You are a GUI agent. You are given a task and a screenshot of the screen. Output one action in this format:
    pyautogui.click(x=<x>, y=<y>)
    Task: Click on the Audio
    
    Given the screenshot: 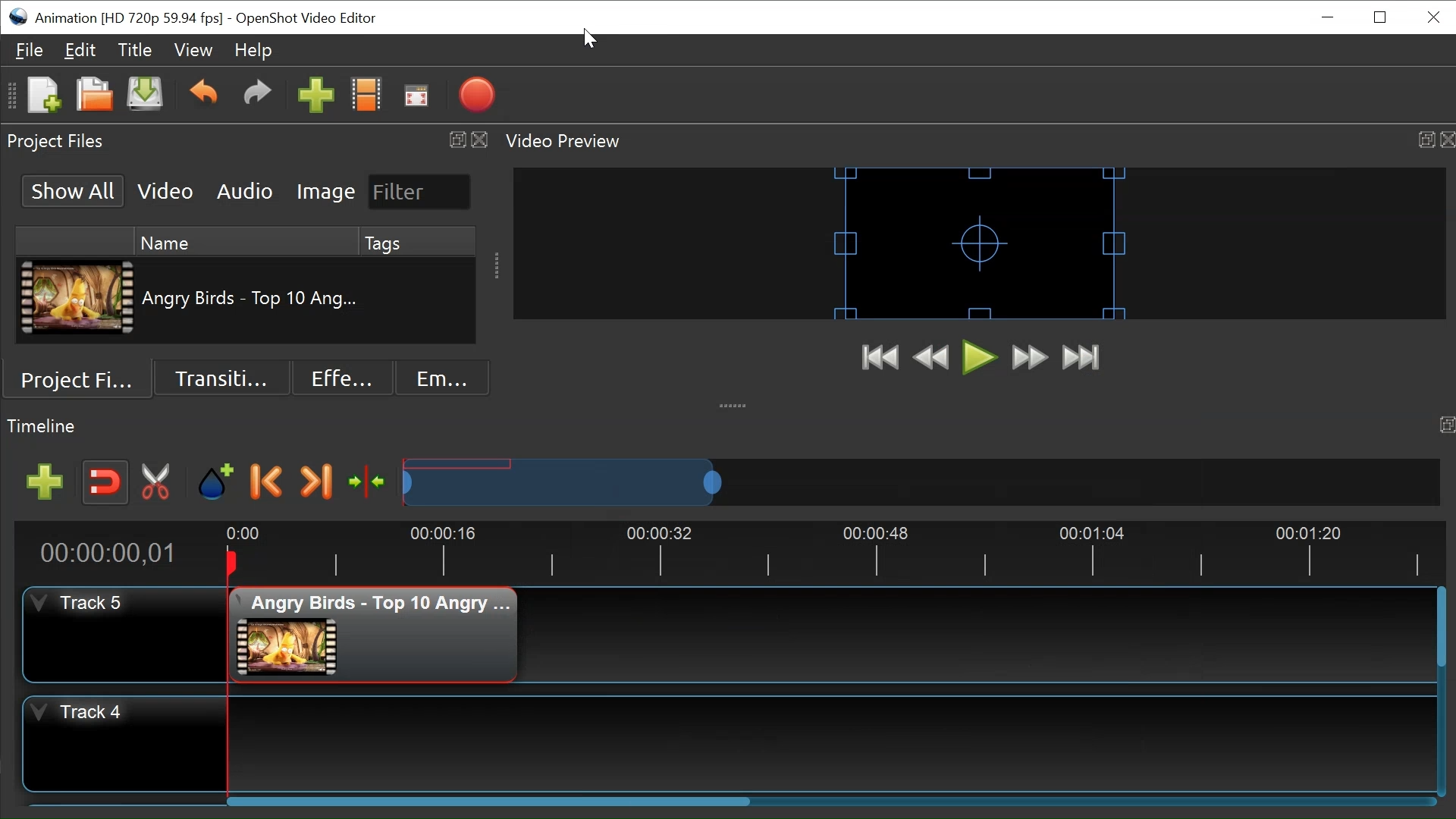 What is the action you would take?
    pyautogui.click(x=243, y=190)
    